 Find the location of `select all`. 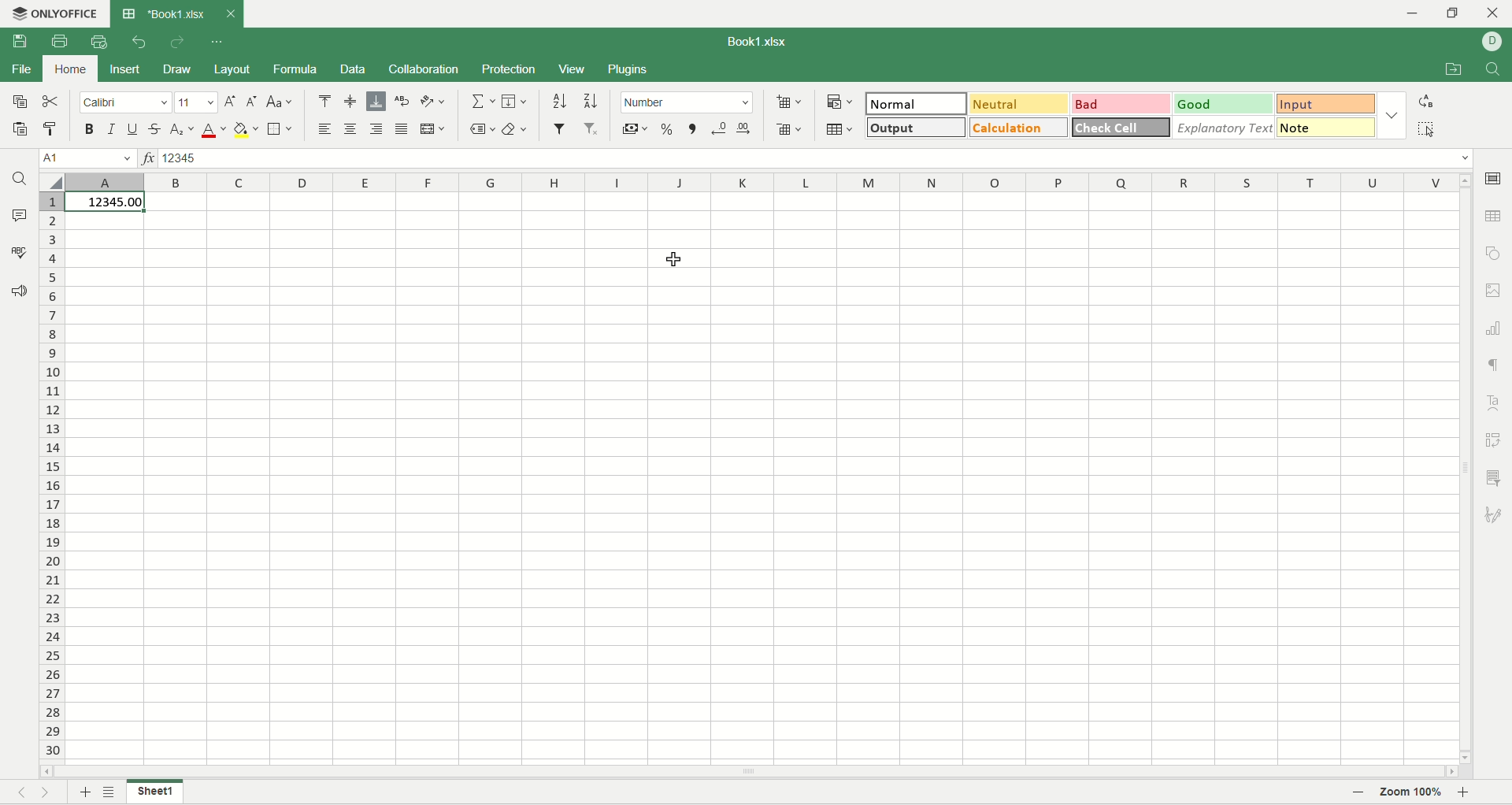

select all is located at coordinates (54, 184).